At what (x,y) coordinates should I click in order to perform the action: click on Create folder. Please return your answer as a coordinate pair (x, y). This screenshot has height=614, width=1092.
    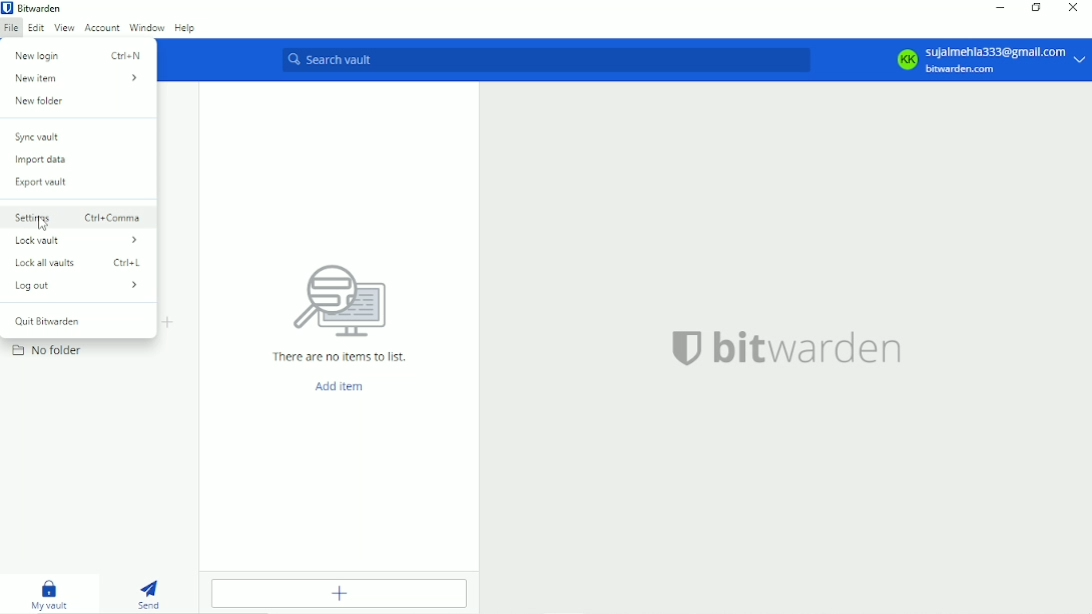
    Looking at the image, I should click on (167, 323).